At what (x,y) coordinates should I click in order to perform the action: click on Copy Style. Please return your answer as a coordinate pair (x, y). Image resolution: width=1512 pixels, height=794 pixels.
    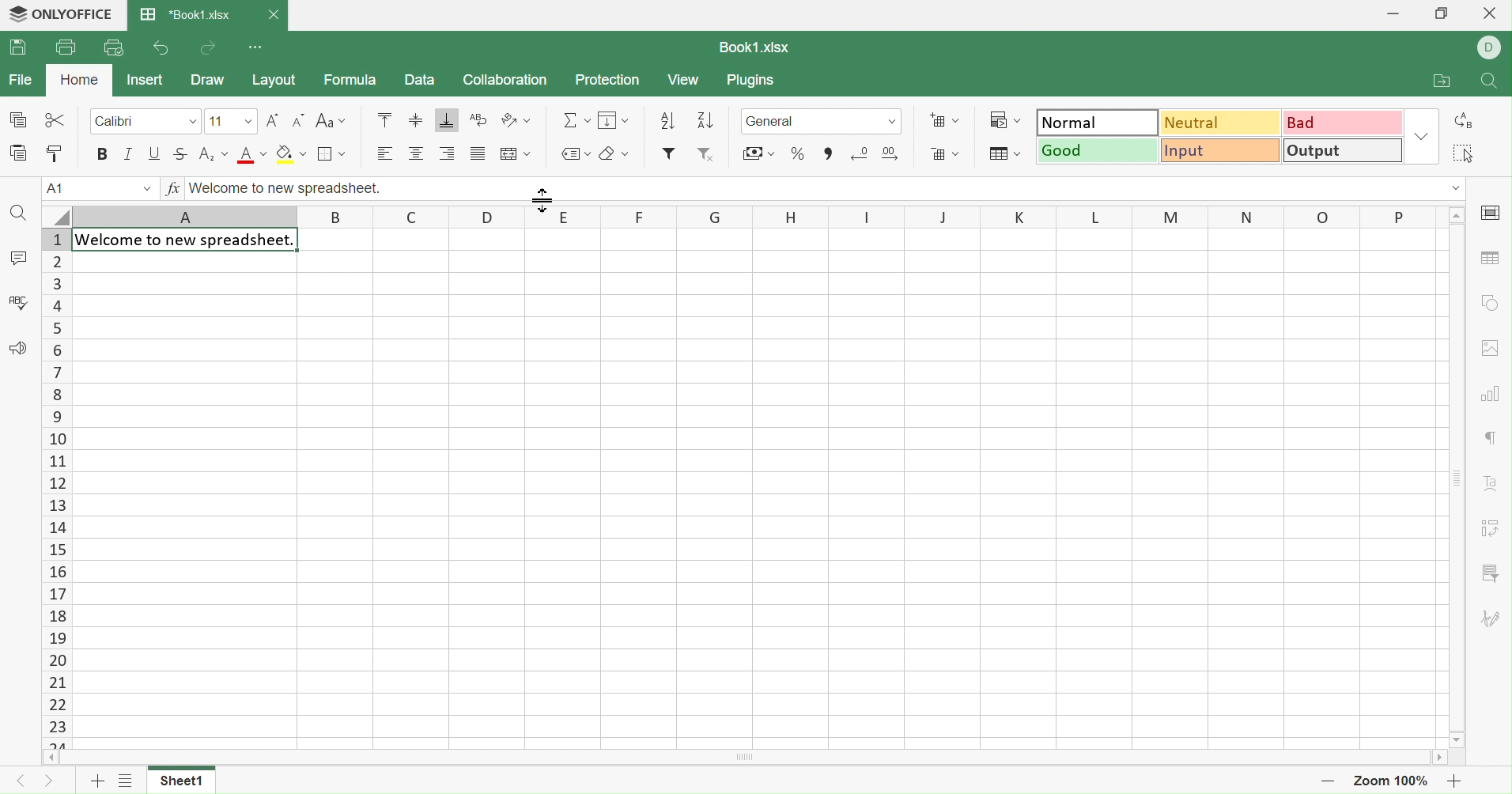
    Looking at the image, I should click on (57, 153).